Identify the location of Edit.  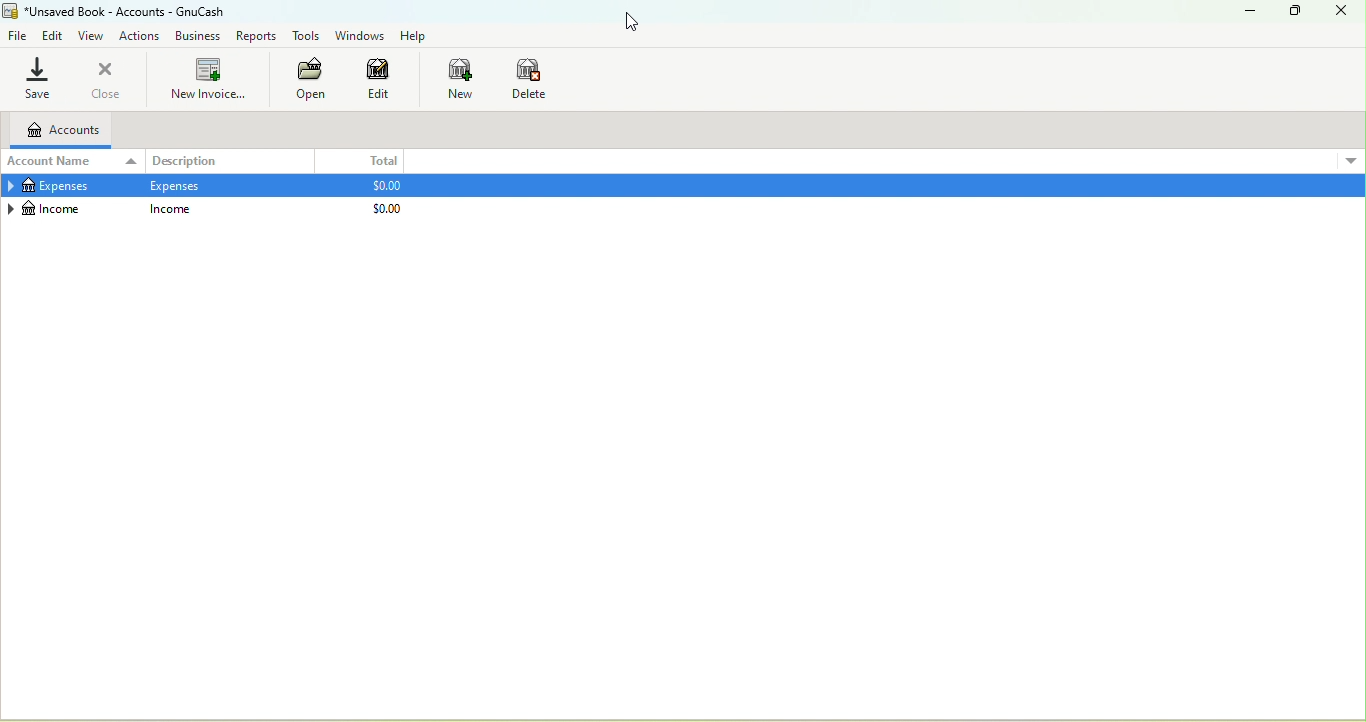
(383, 80).